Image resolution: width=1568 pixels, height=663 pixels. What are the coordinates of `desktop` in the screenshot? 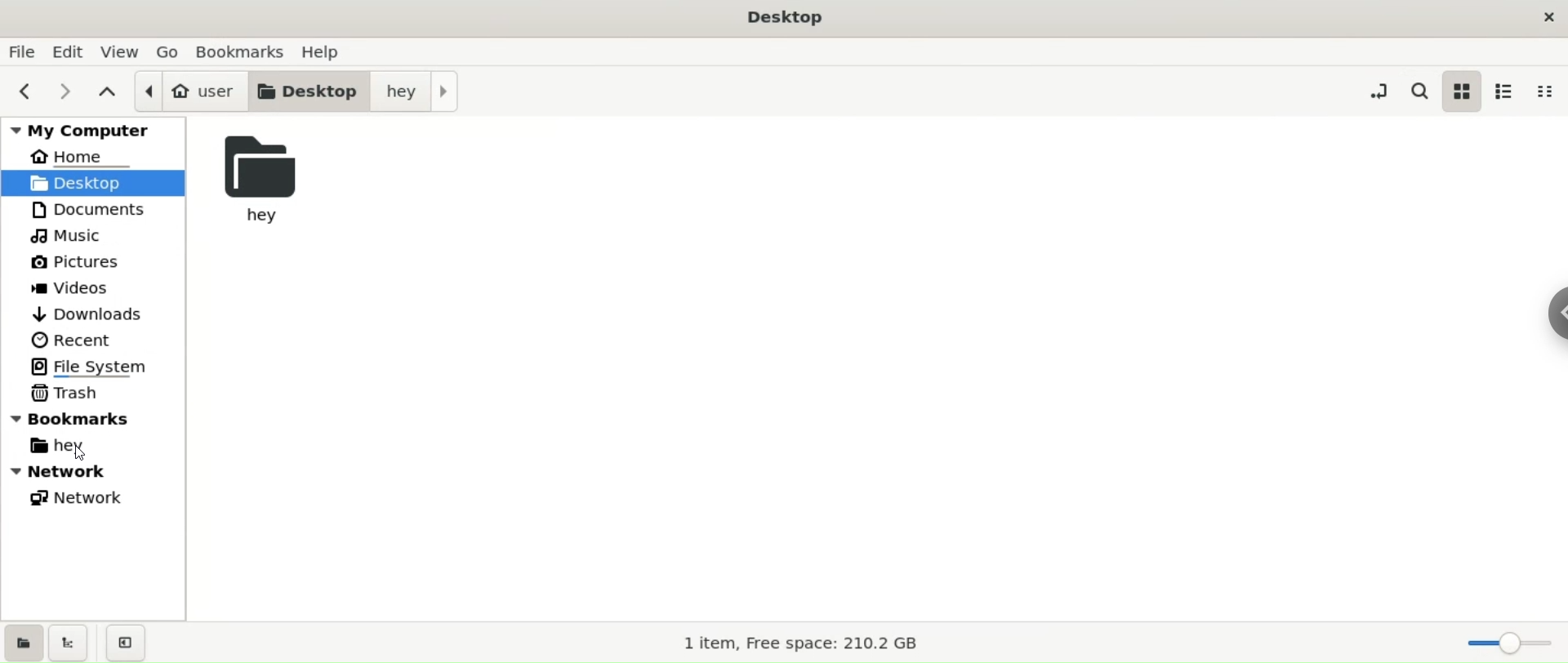 It's located at (315, 91).